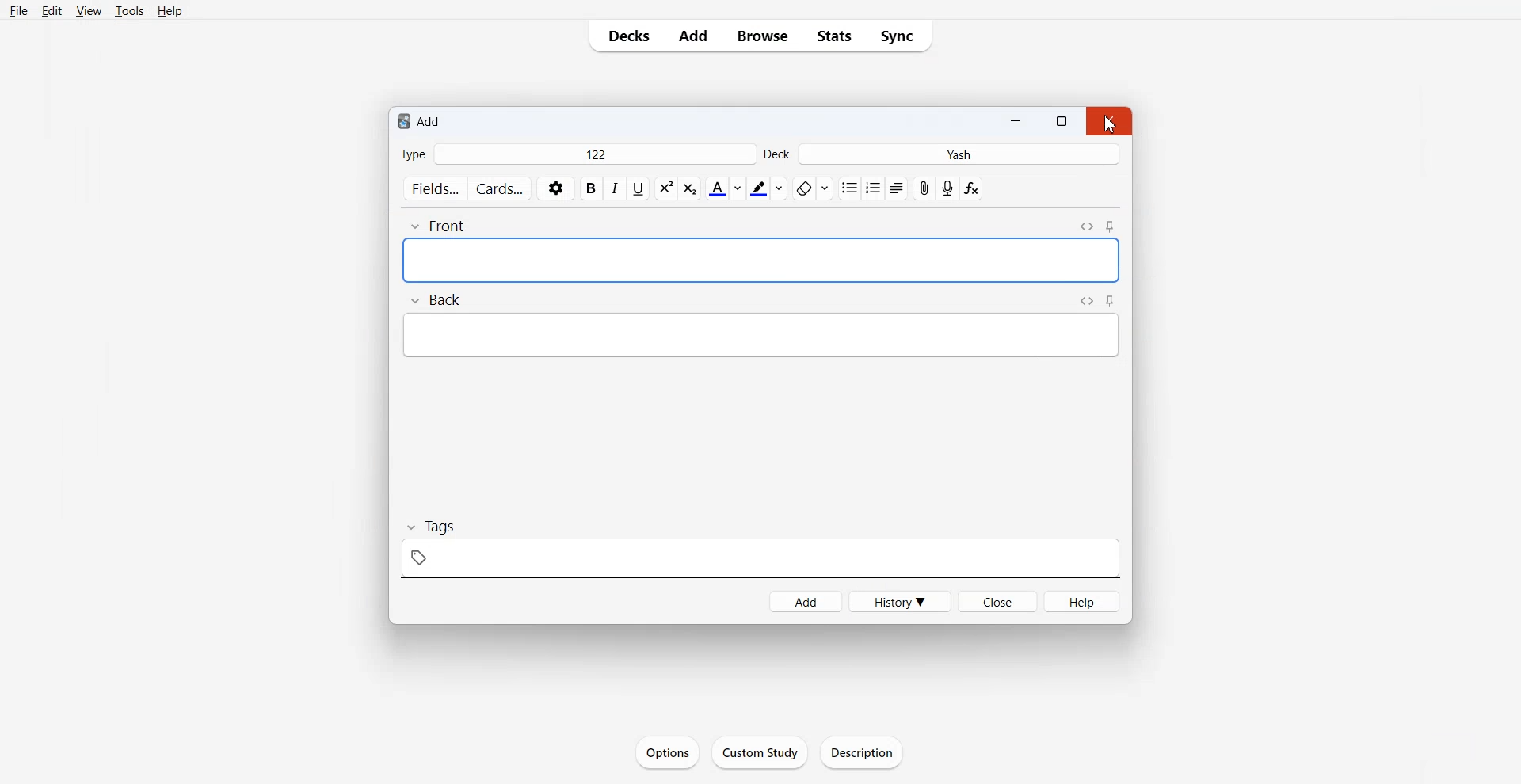  Describe the element at coordinates (767, 188) in the screenshot. I see `Highlight text color` at that location.